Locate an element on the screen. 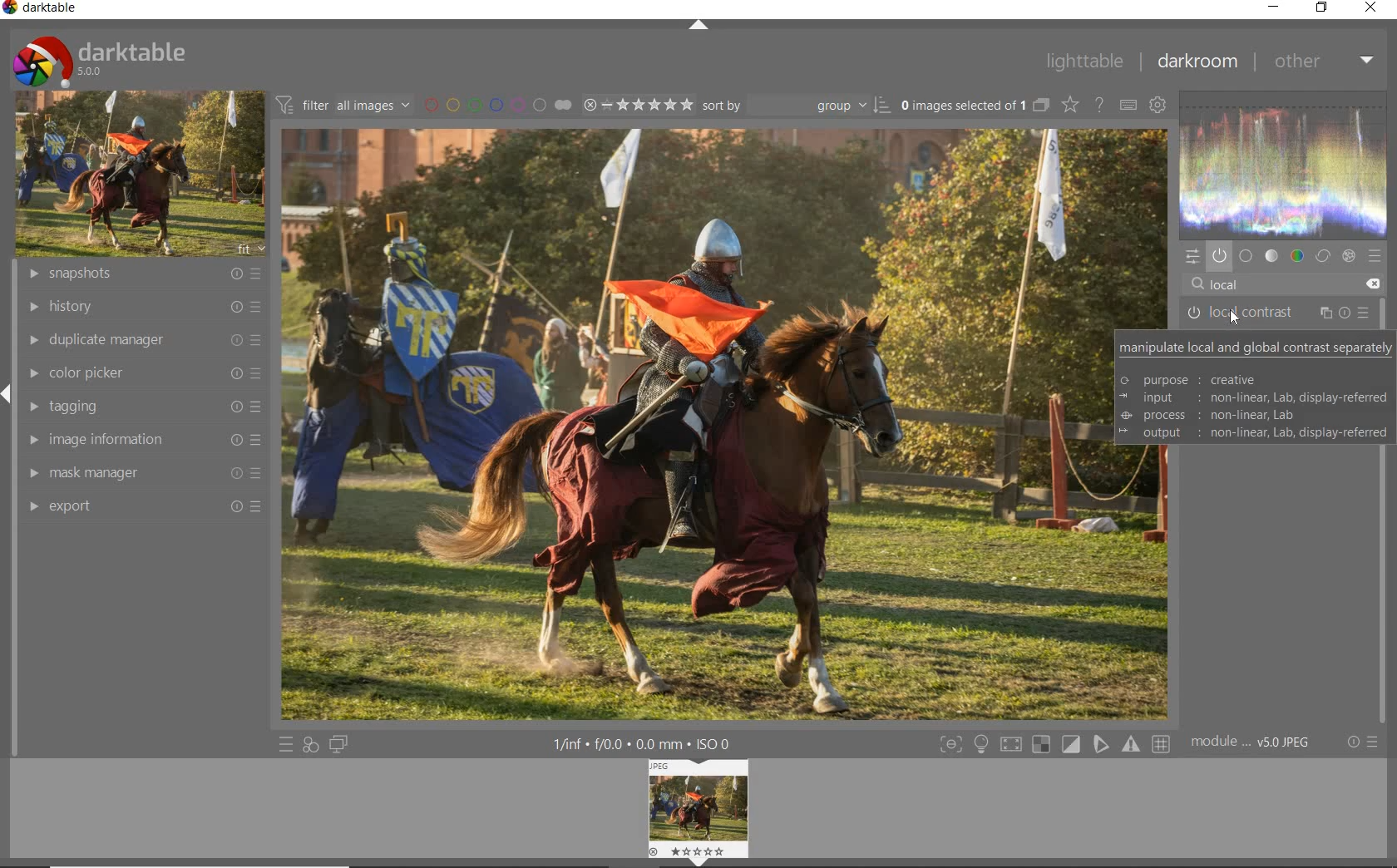  enable for online help is located at coordinates (1099, 104).